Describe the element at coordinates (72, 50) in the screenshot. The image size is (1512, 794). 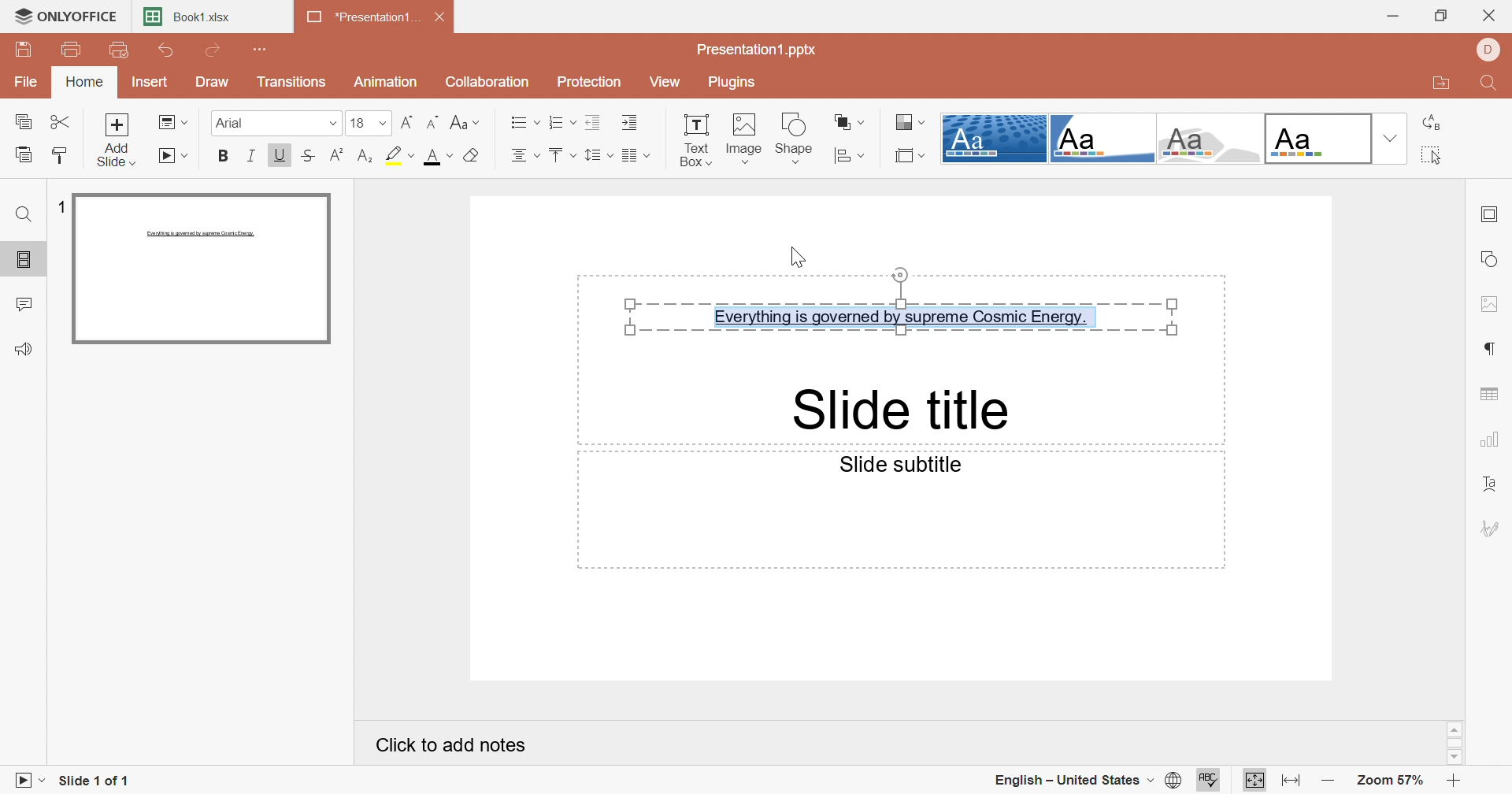
I see `Print` at that location.